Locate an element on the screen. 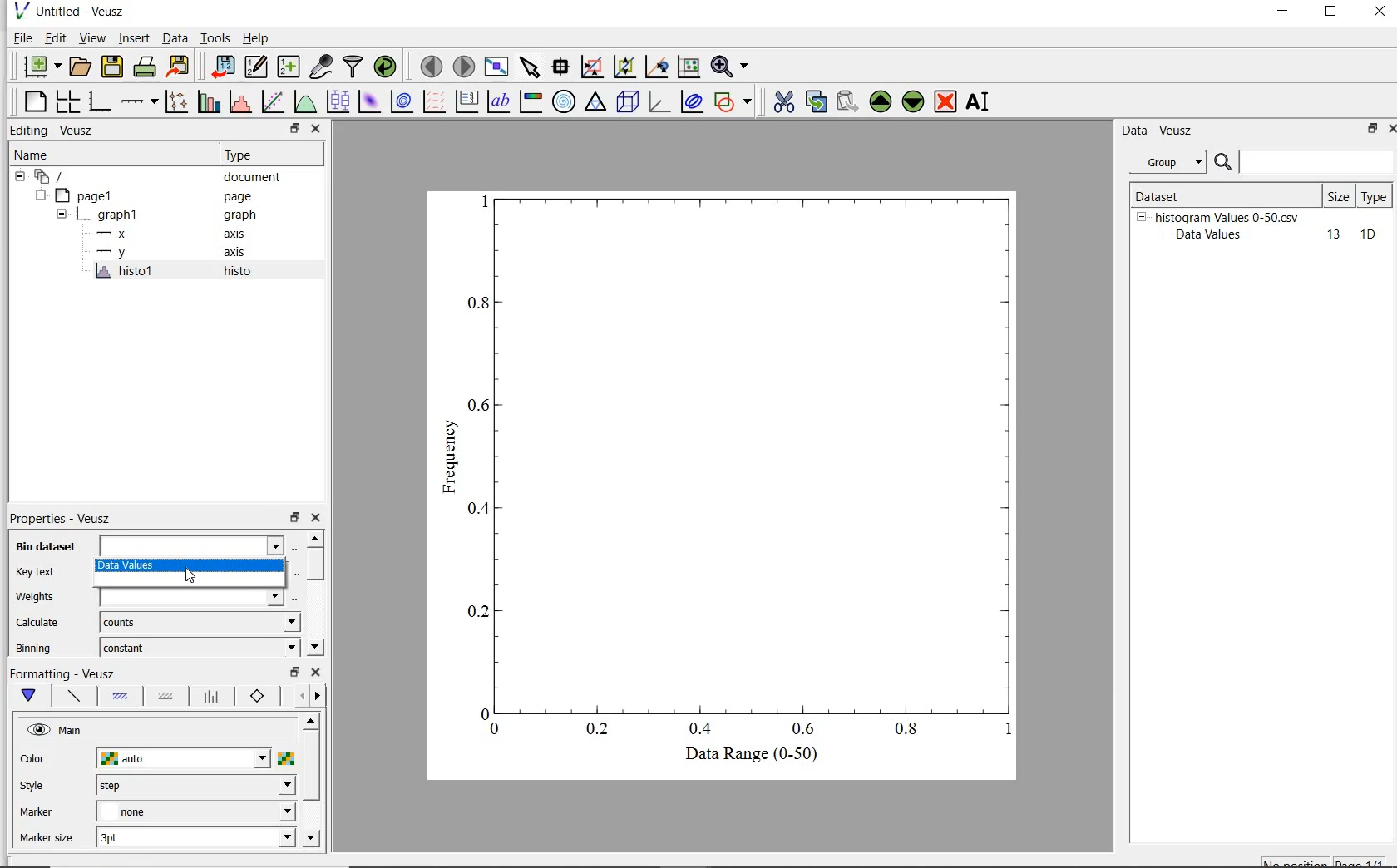 The width and height of the screenshot is (1397, 868). plot covariance ellipse is located at coordinates (692, 104).